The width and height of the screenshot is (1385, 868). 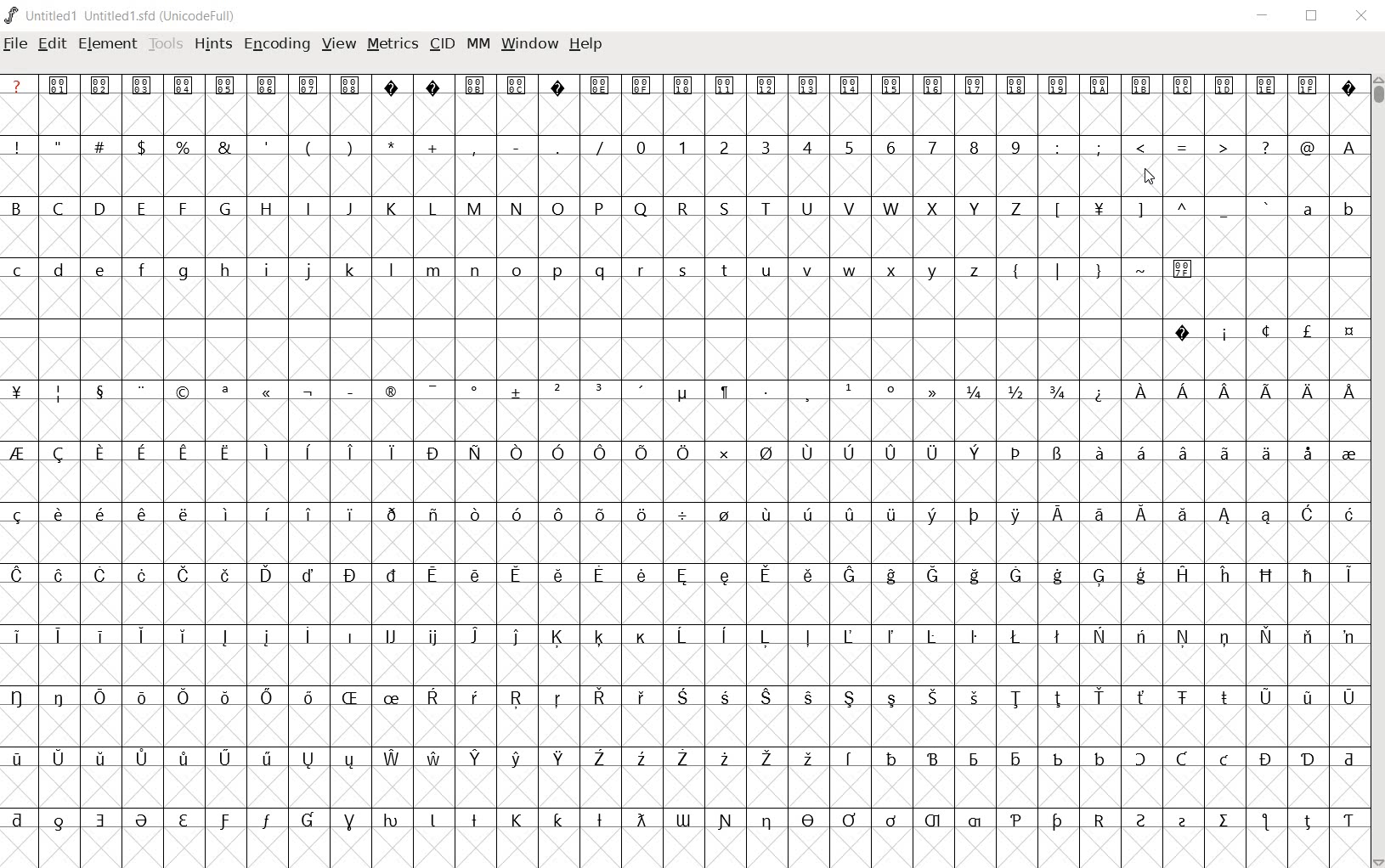 I want to click on symbols, so click(x=1185, y=144).